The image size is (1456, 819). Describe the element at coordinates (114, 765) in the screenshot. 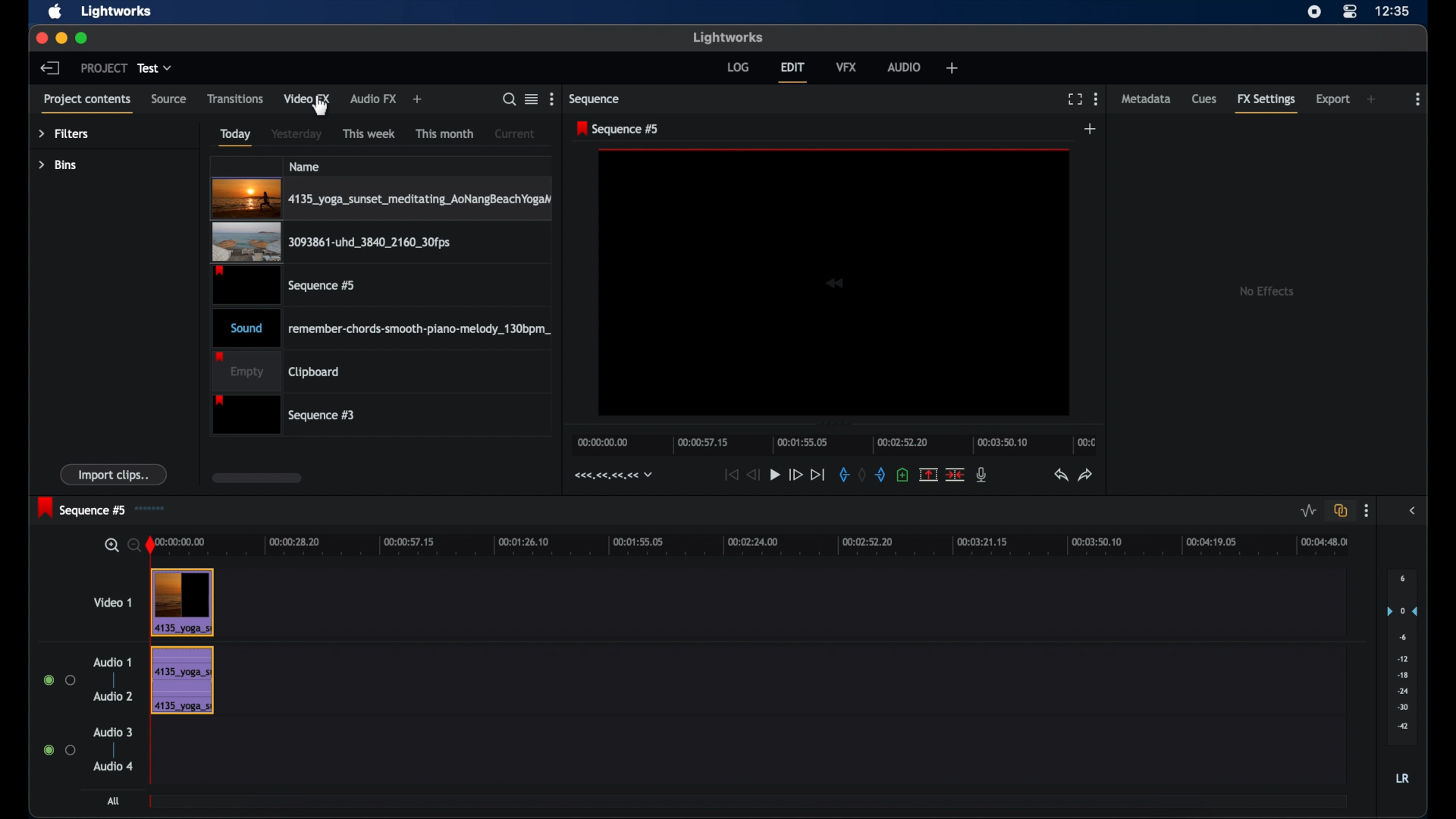

I see `audio 4` at that location.